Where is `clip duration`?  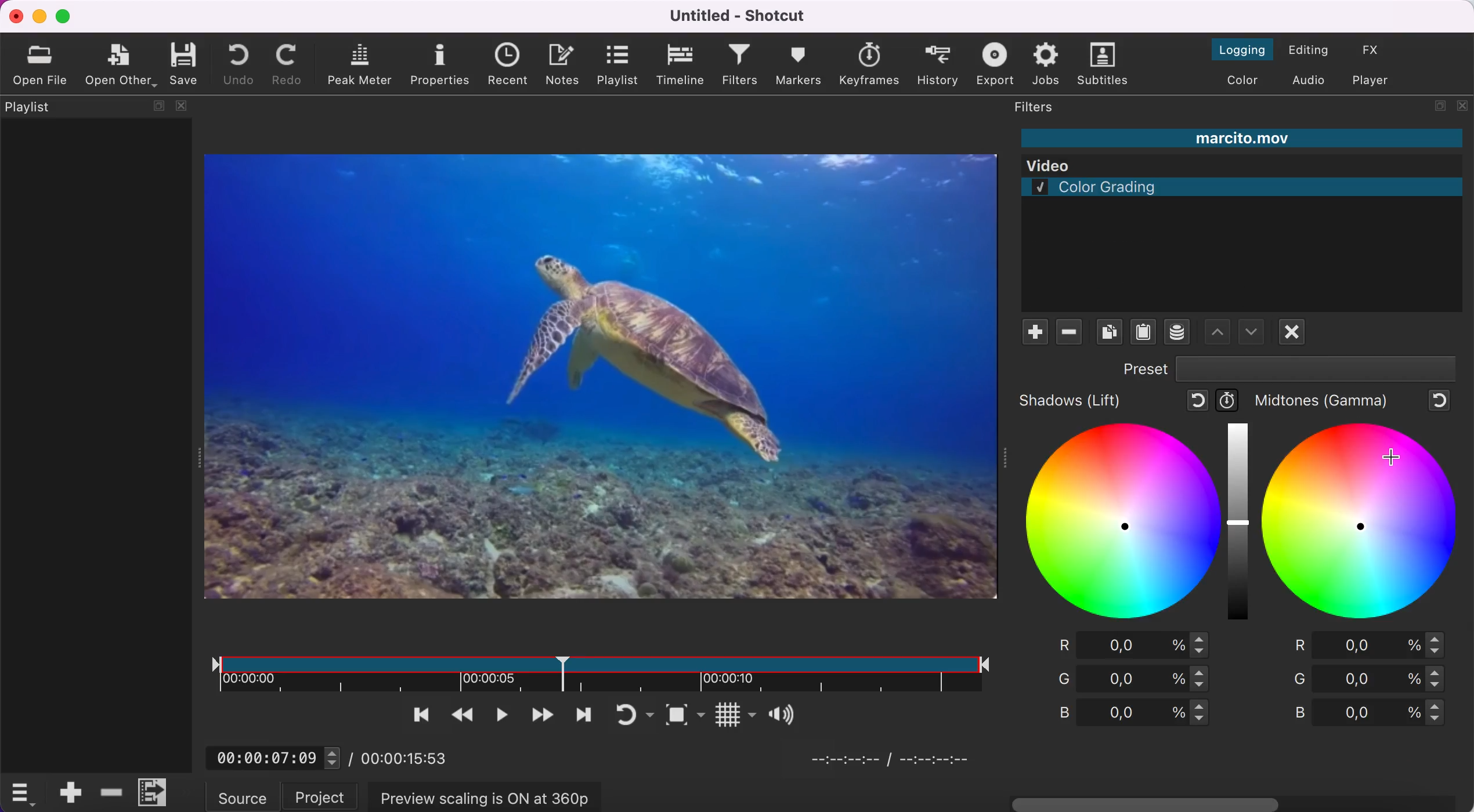 clip duration is located at coordinates (591, 670).